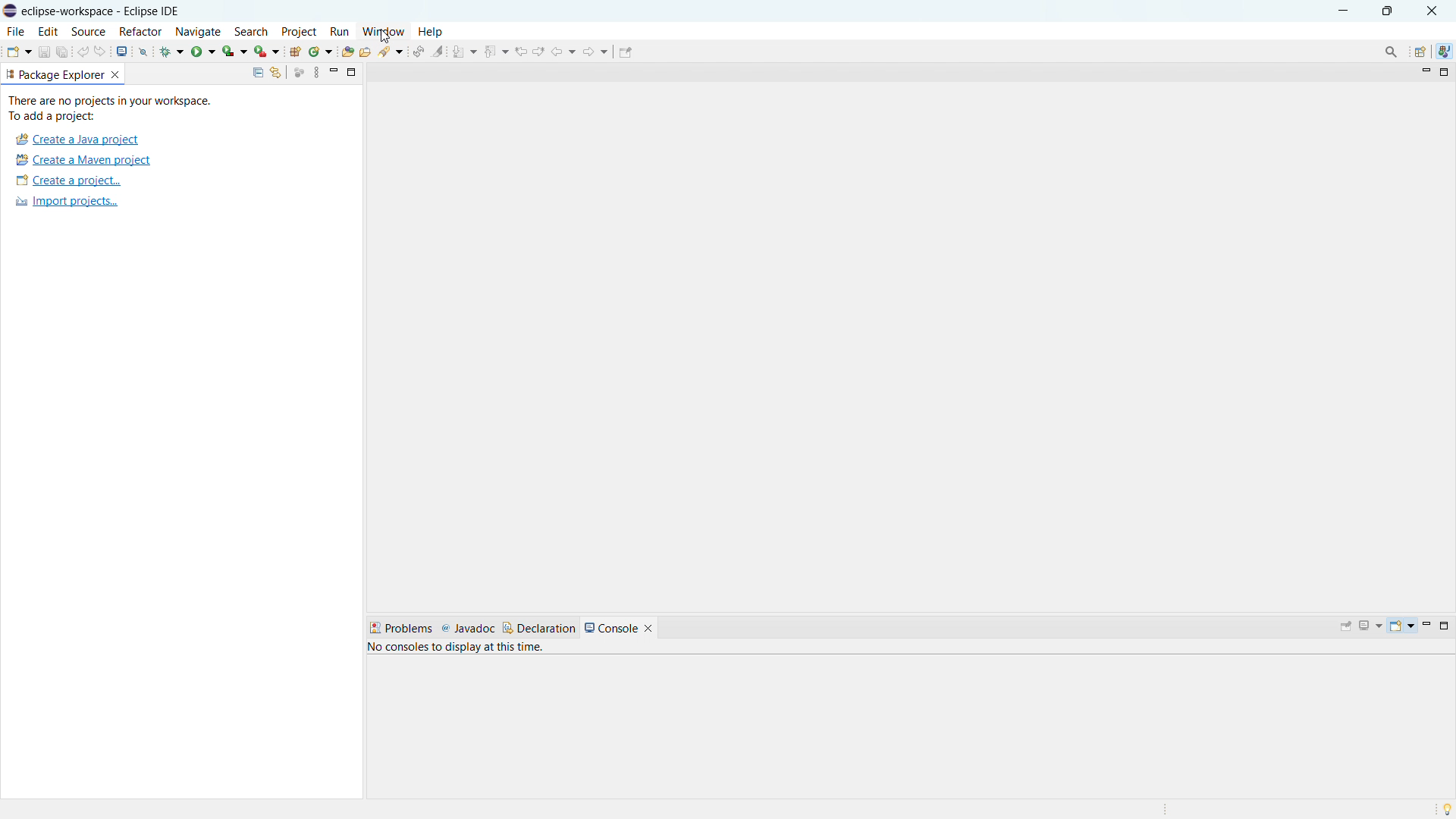 The image size is (1456, 819). What do you see at coordinates (1387, 11) in the screenshot?
I see `maximize` at bounding box center [1387, 11].